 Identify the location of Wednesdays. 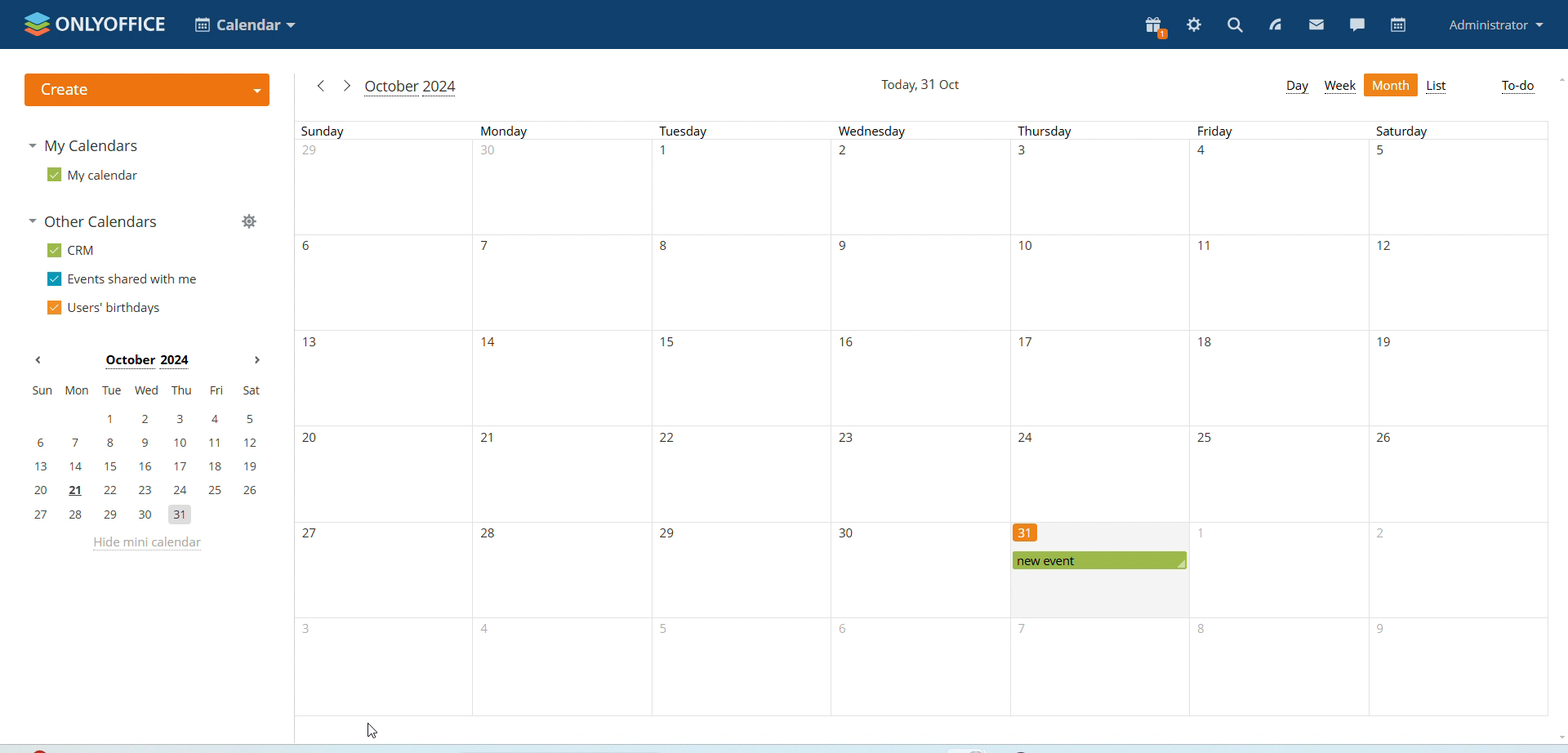
(918, 420).